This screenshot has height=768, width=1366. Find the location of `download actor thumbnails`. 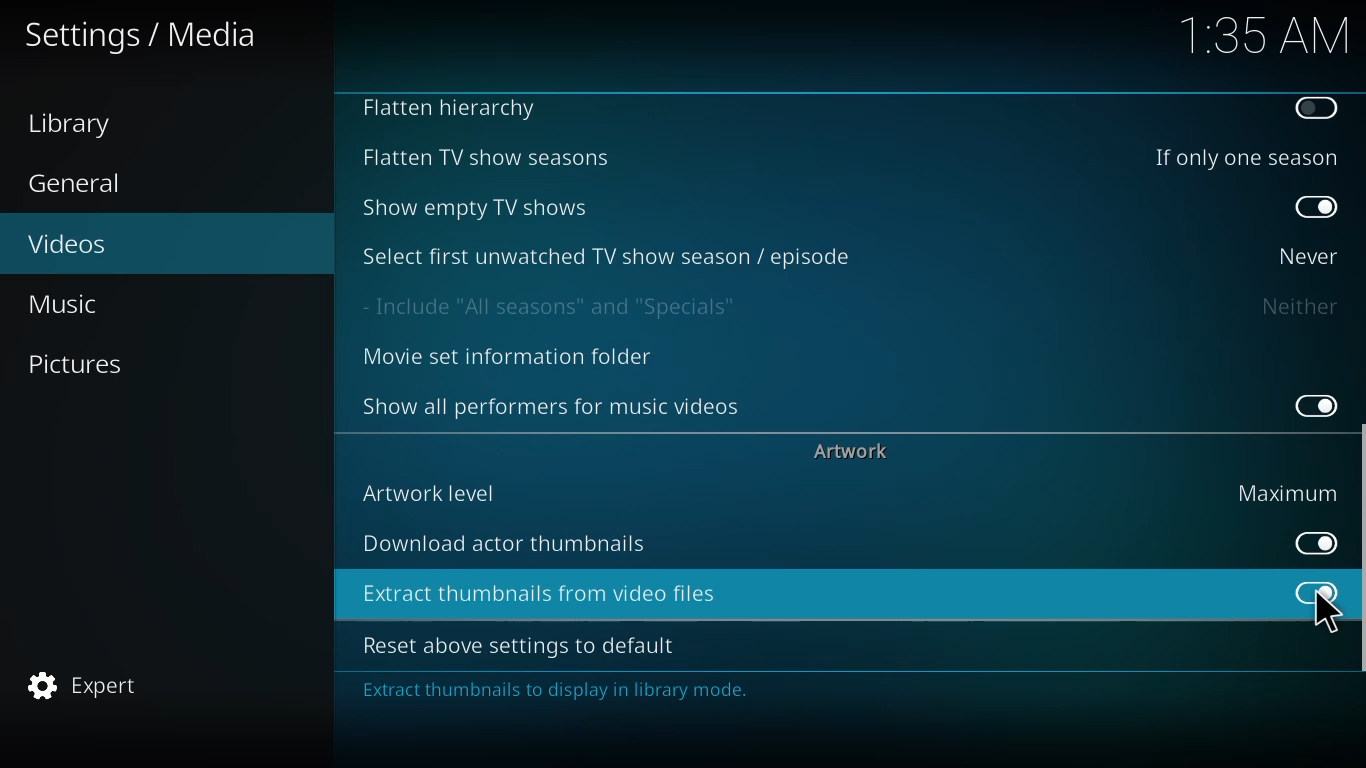

download actor thumbnails is located at coordinates (507, 542).